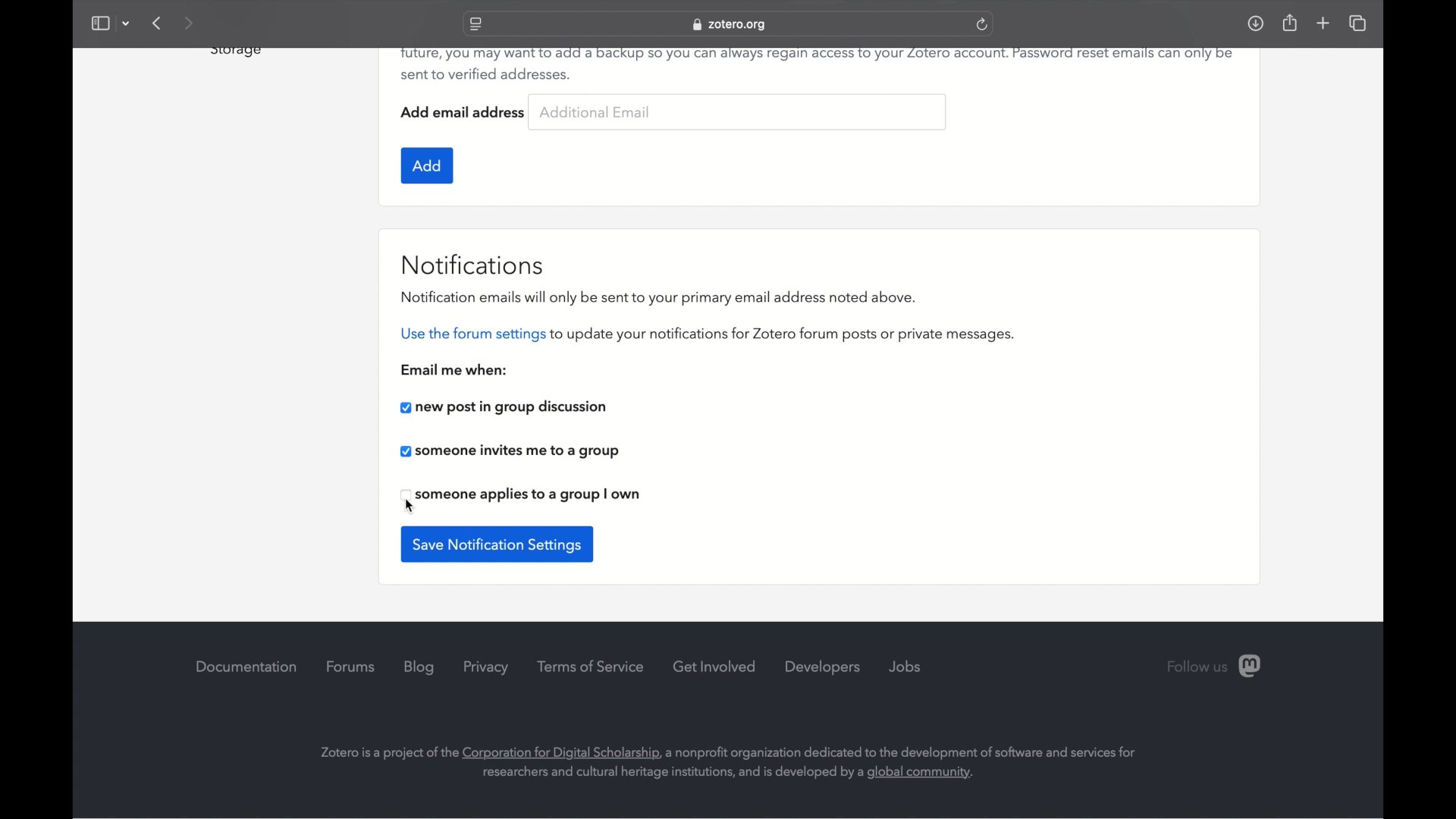 Image resolution: width=1456 pixels, height=819 pixels. Describe the element at coordinates (715, 667) in the screenshot. I see `get involved` at that location.